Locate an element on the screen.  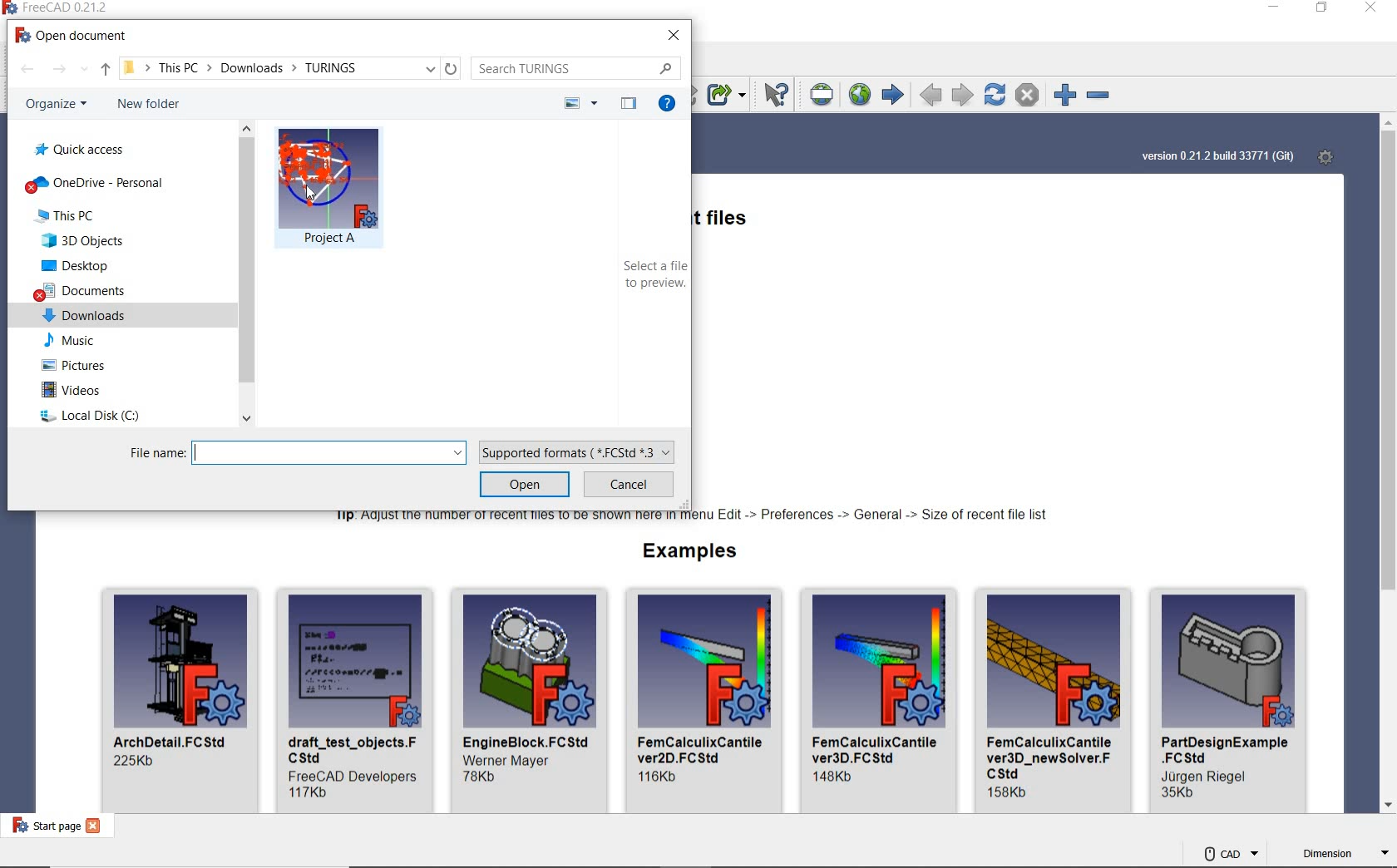
OPEN START PAGE PREFERENCES is located at coordinates (1323, 155).